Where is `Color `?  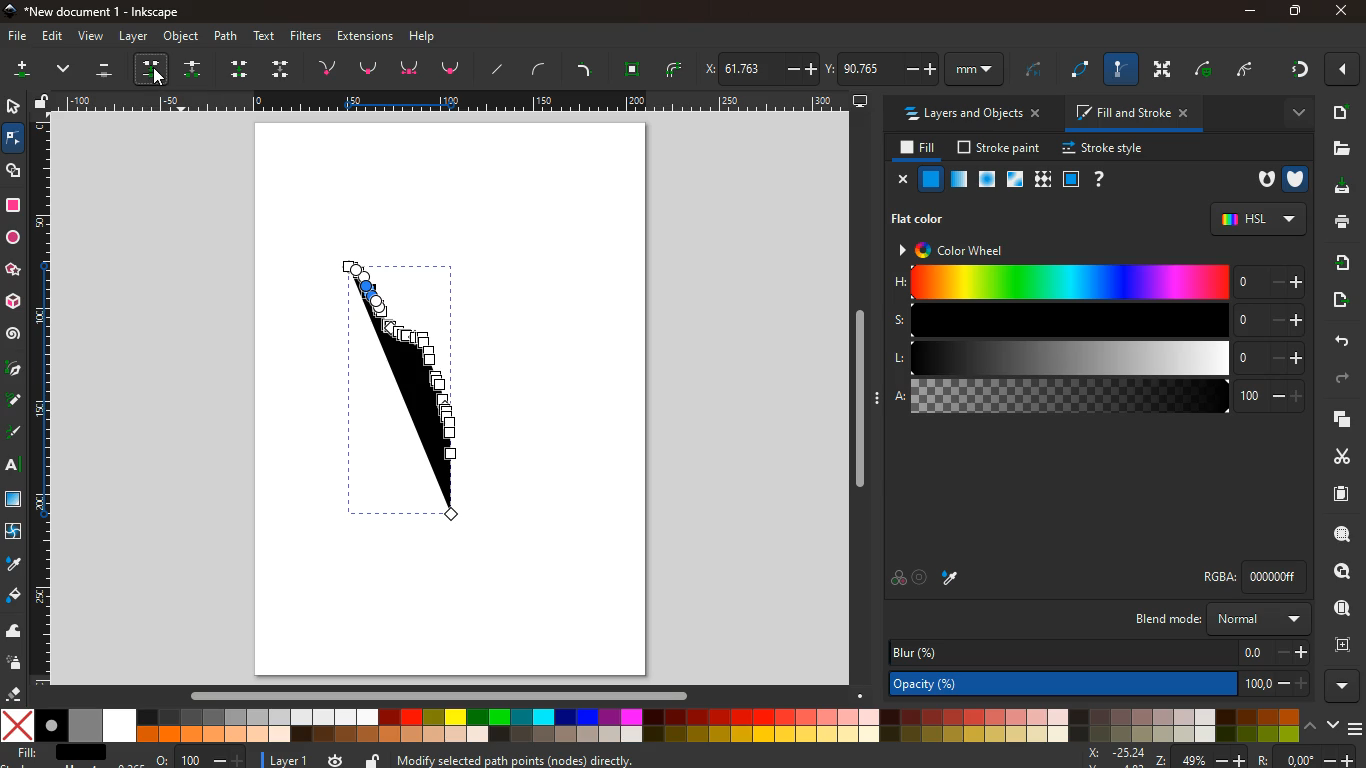 Color  is located at coordinates (13, 205).